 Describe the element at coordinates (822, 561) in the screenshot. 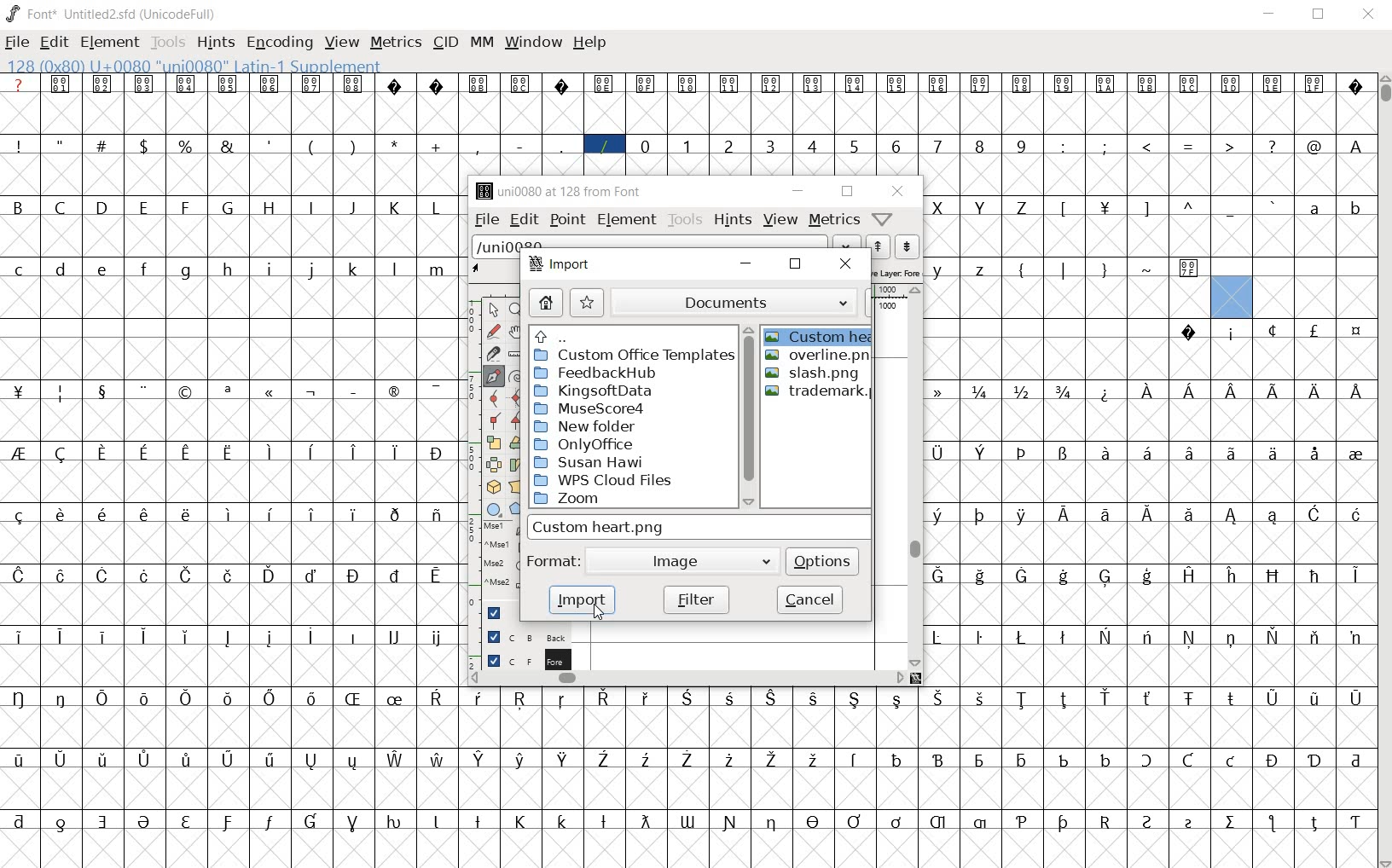

I see `options` at that location.